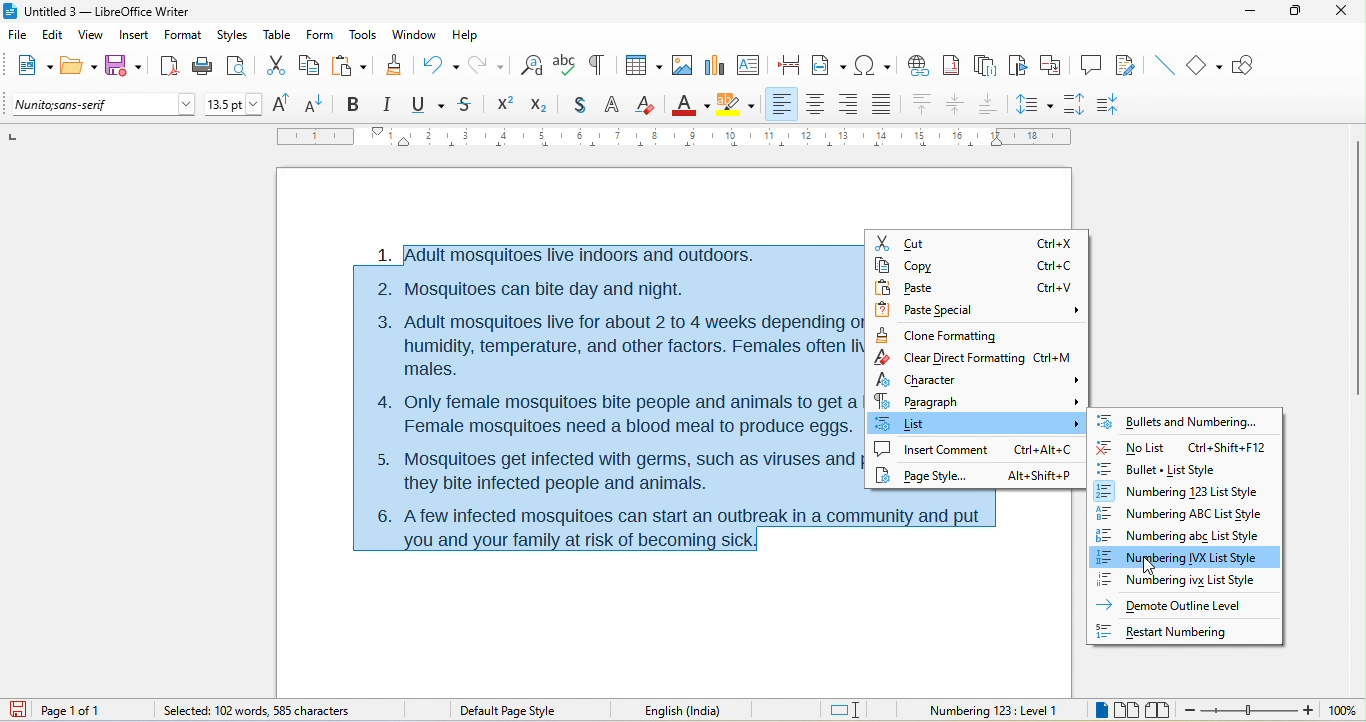 This screenshot has height=722, width=1366. Describe the element at coordinates (846, 709) in the screenshot. I see `standard selection` at that location.